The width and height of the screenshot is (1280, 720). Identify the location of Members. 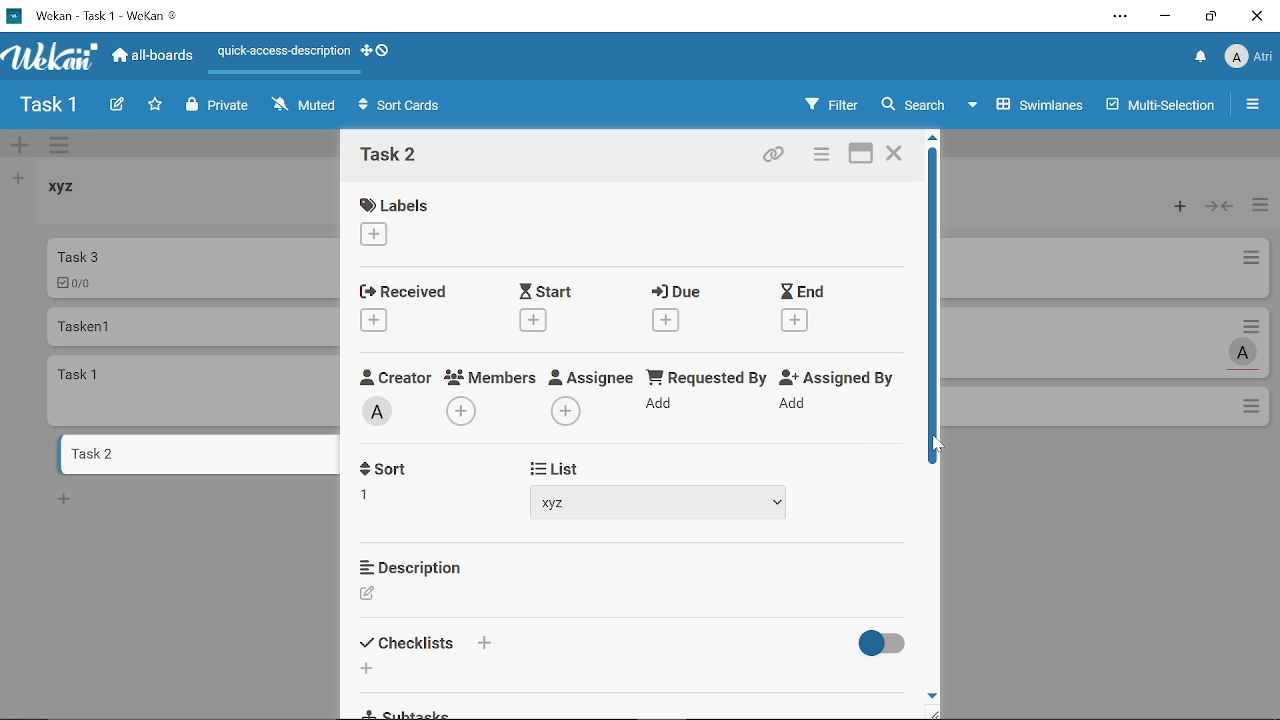
(492, 377).